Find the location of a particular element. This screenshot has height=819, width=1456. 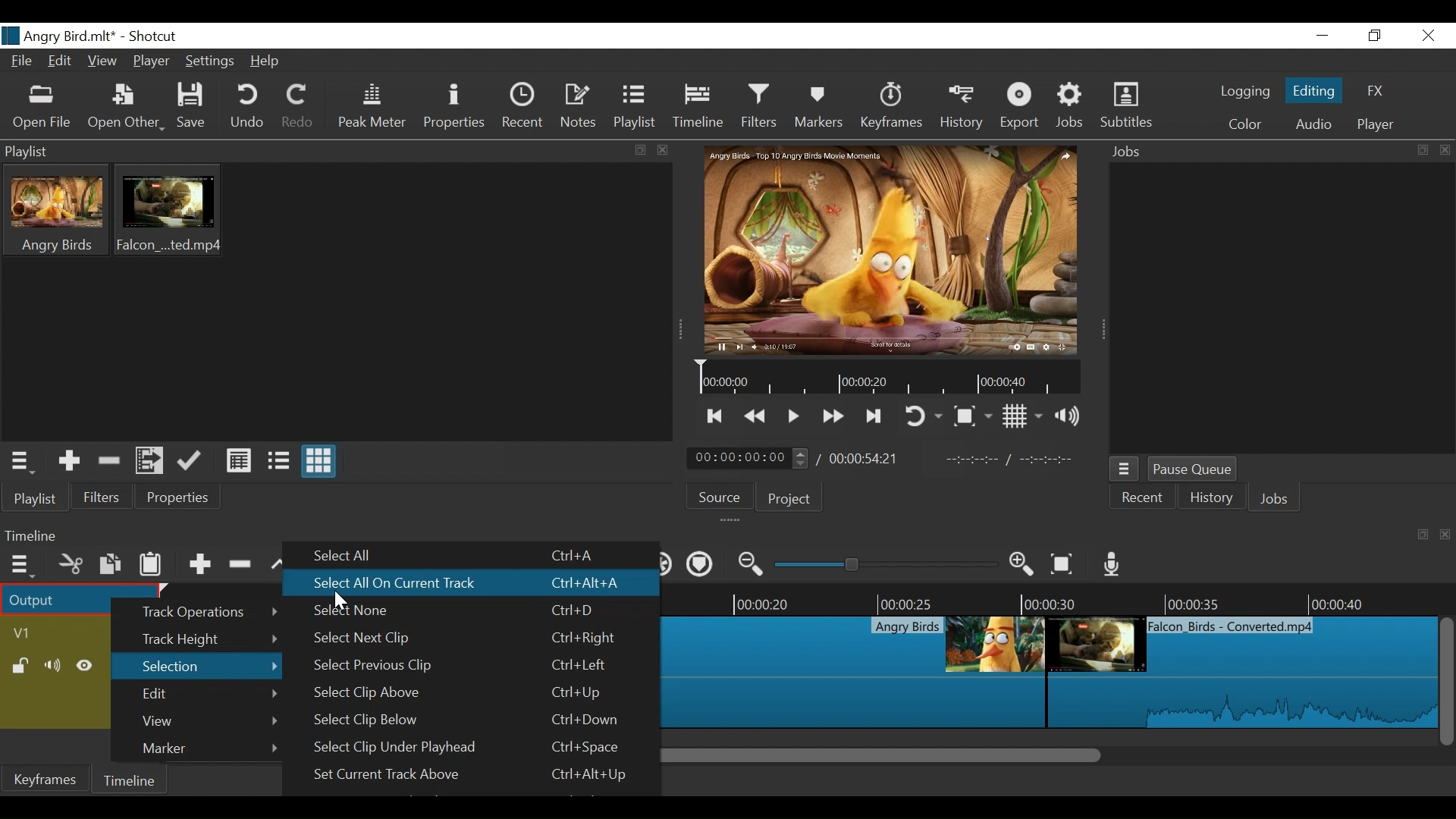

Zoom timeline to fit is located at coordinates (1062, 565).